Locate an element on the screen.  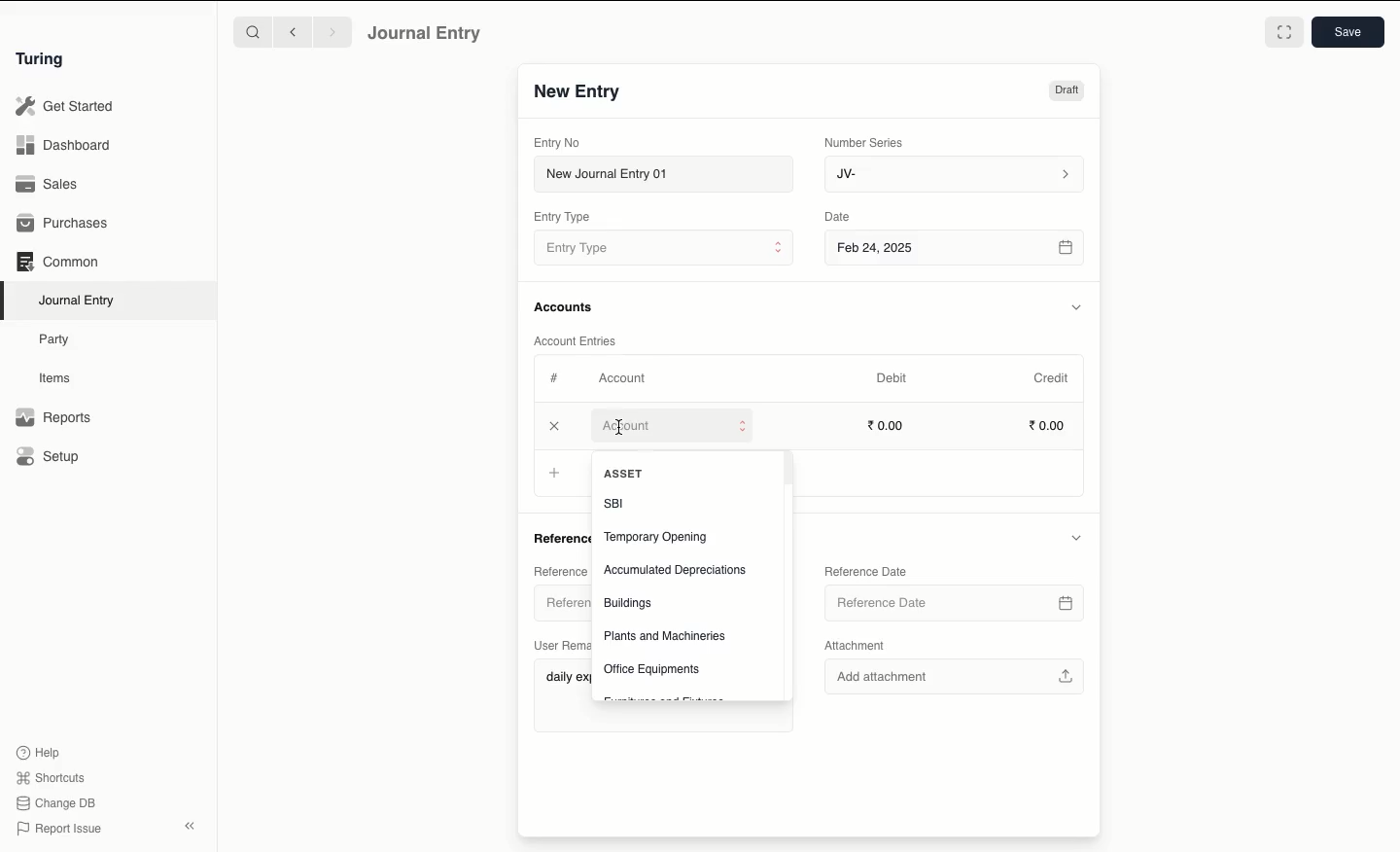
SBI is located at coordinates (615, 502).